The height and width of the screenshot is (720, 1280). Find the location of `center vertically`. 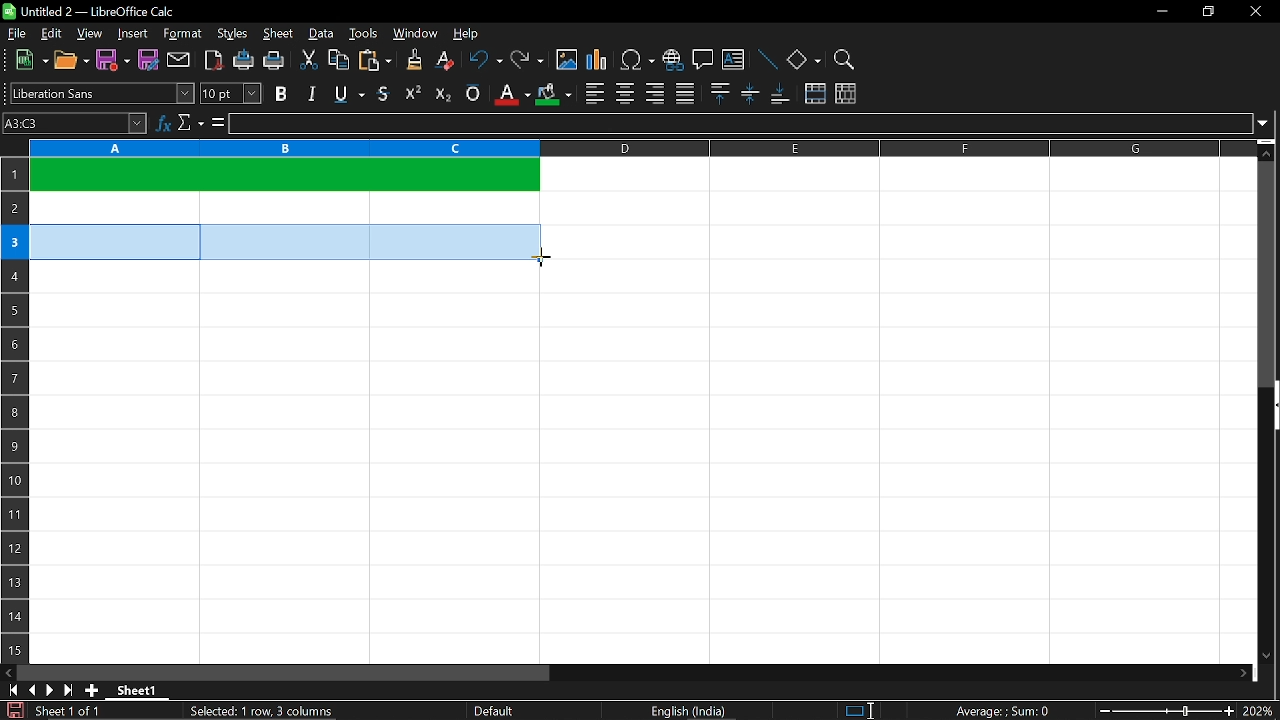

center vertically is located at coordinates (750, 95).